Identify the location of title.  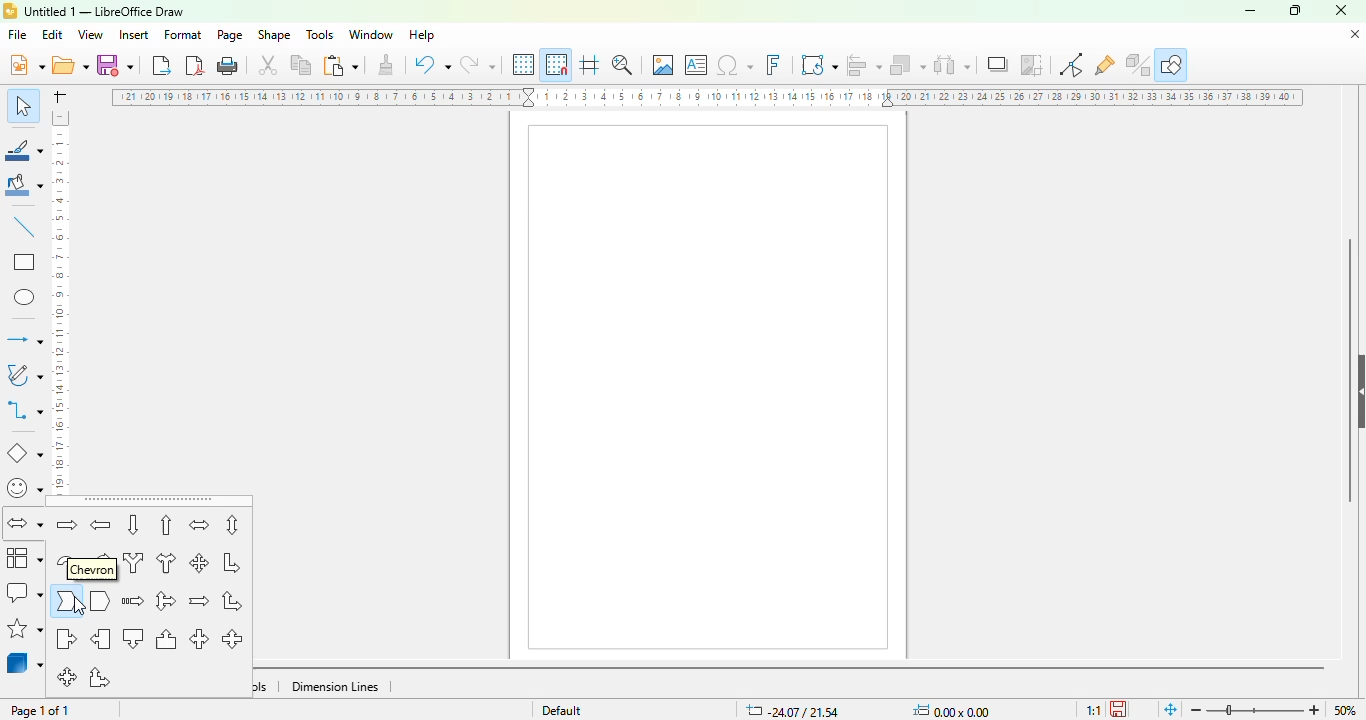
(104, 12).